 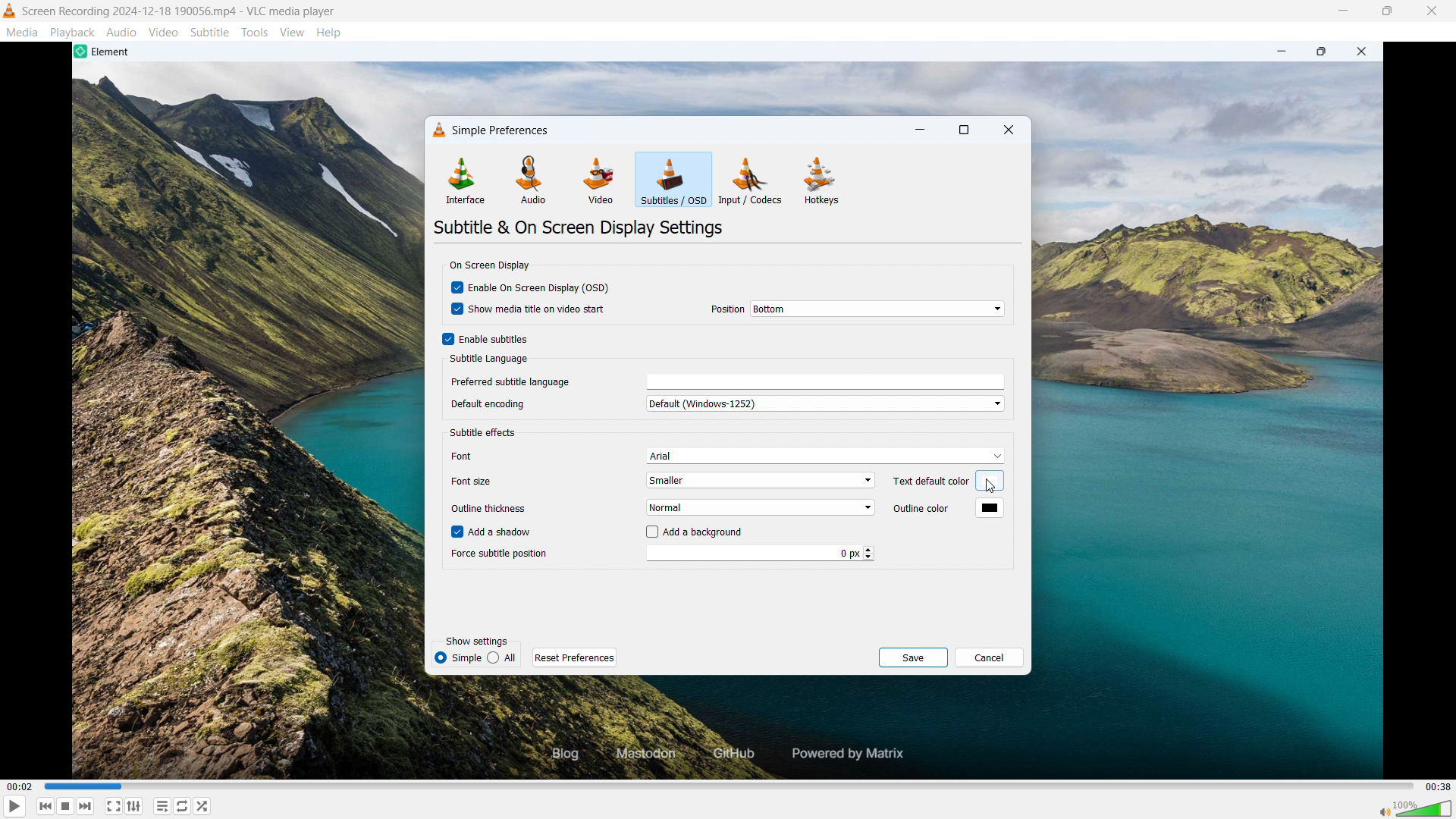 I want to click on toggle playlist, so click(x=162, y=806).